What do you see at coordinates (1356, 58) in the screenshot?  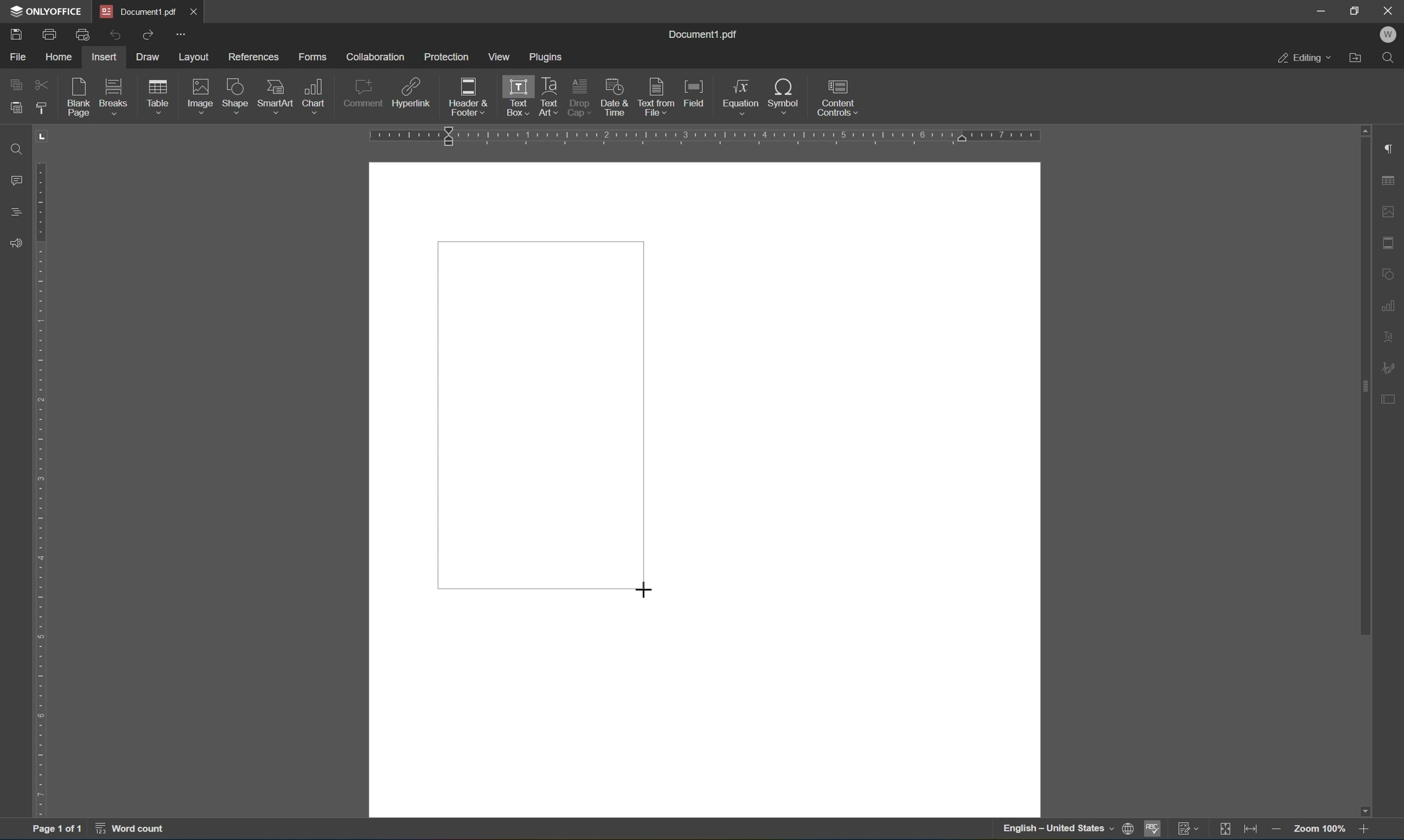 I see `Open file location` at bounding box center [1356, 58].